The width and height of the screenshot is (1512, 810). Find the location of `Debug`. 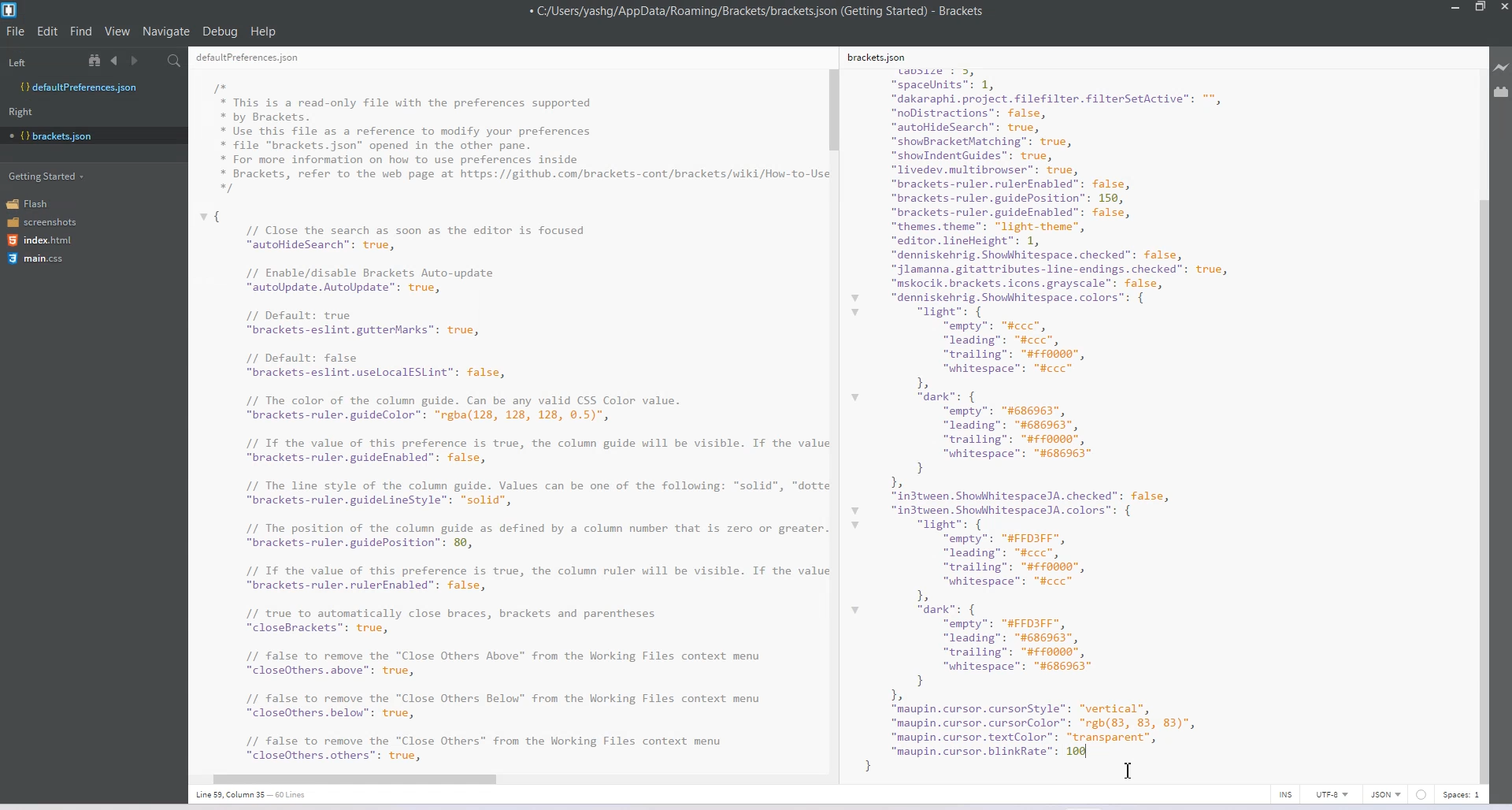

Debug is located at coordinates (220, 31).